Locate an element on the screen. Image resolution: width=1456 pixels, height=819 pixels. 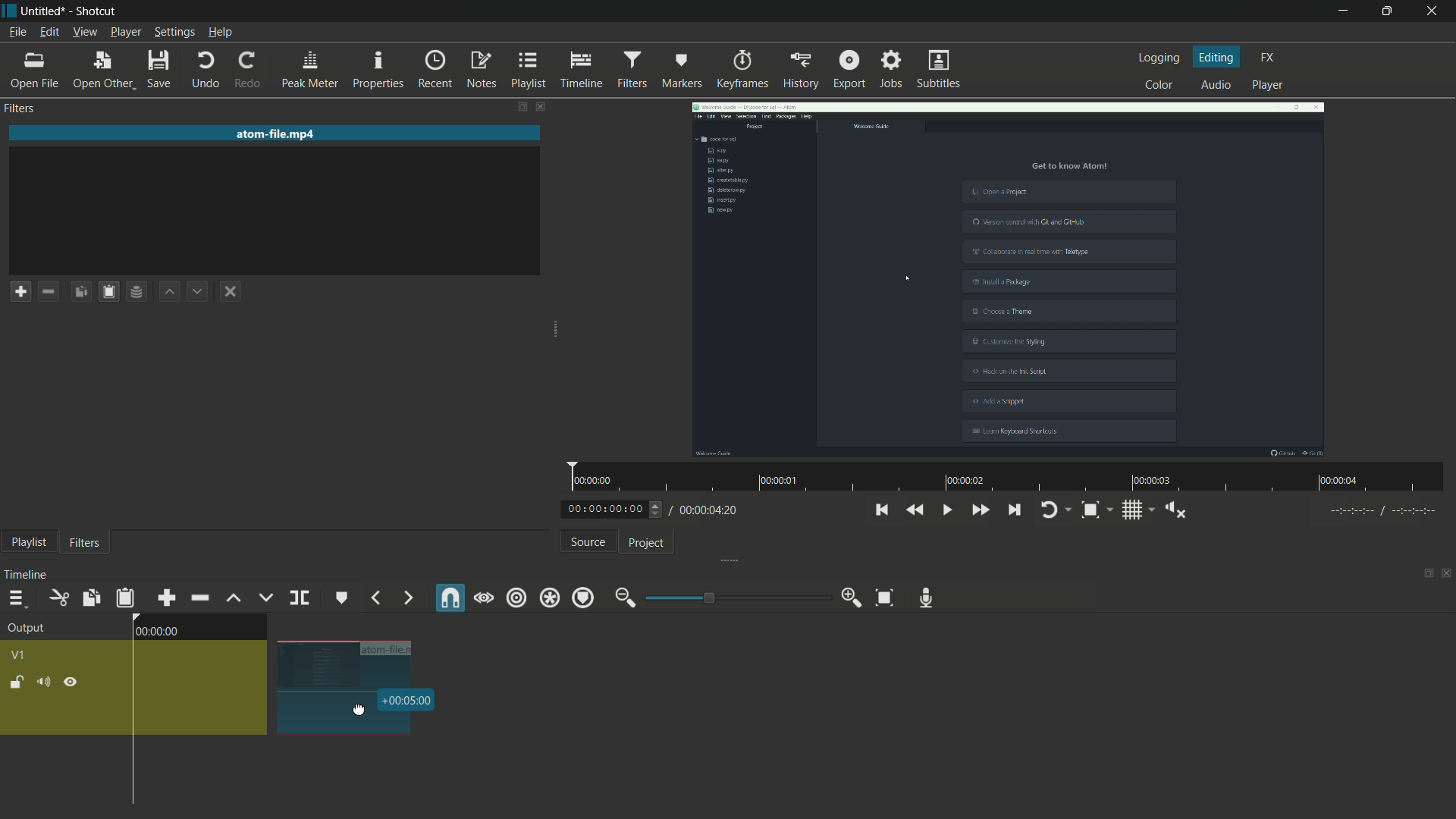
imported video is located at coordinates (1009, 281).